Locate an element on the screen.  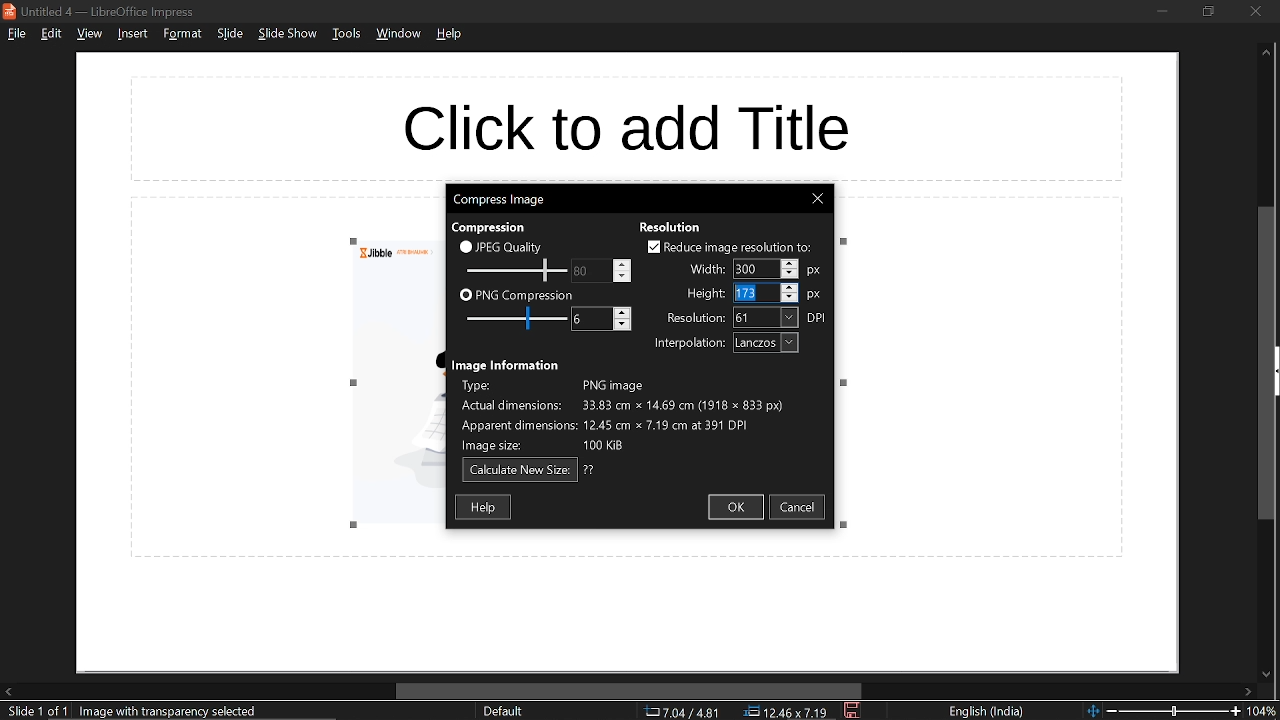
format is located at coordinates (182, 34).